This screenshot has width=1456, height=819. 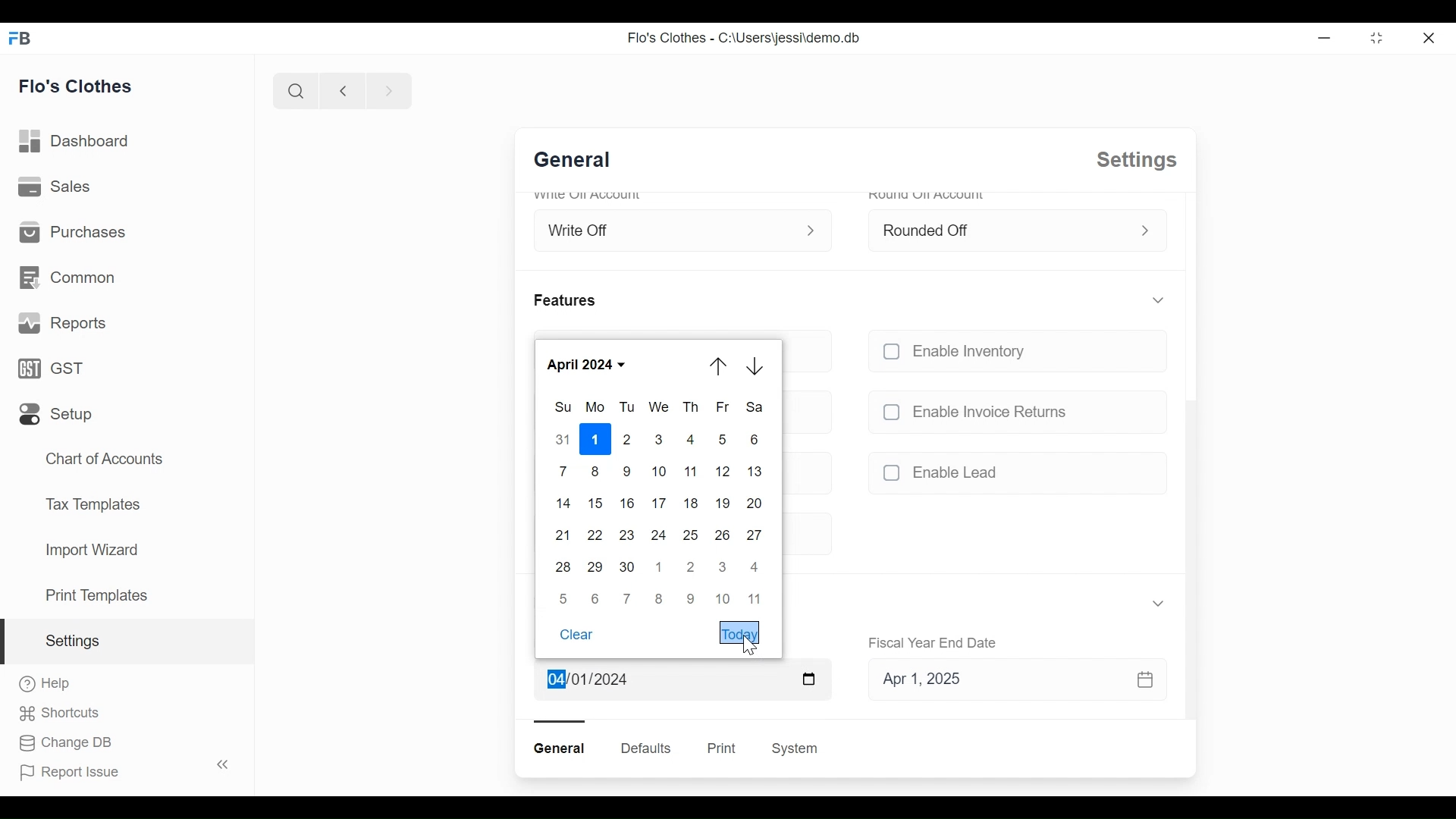 What do you see at coordinates (76, 84) in the screenshot?
I see `Flo's Clothes` at bounding box center [76, 84].